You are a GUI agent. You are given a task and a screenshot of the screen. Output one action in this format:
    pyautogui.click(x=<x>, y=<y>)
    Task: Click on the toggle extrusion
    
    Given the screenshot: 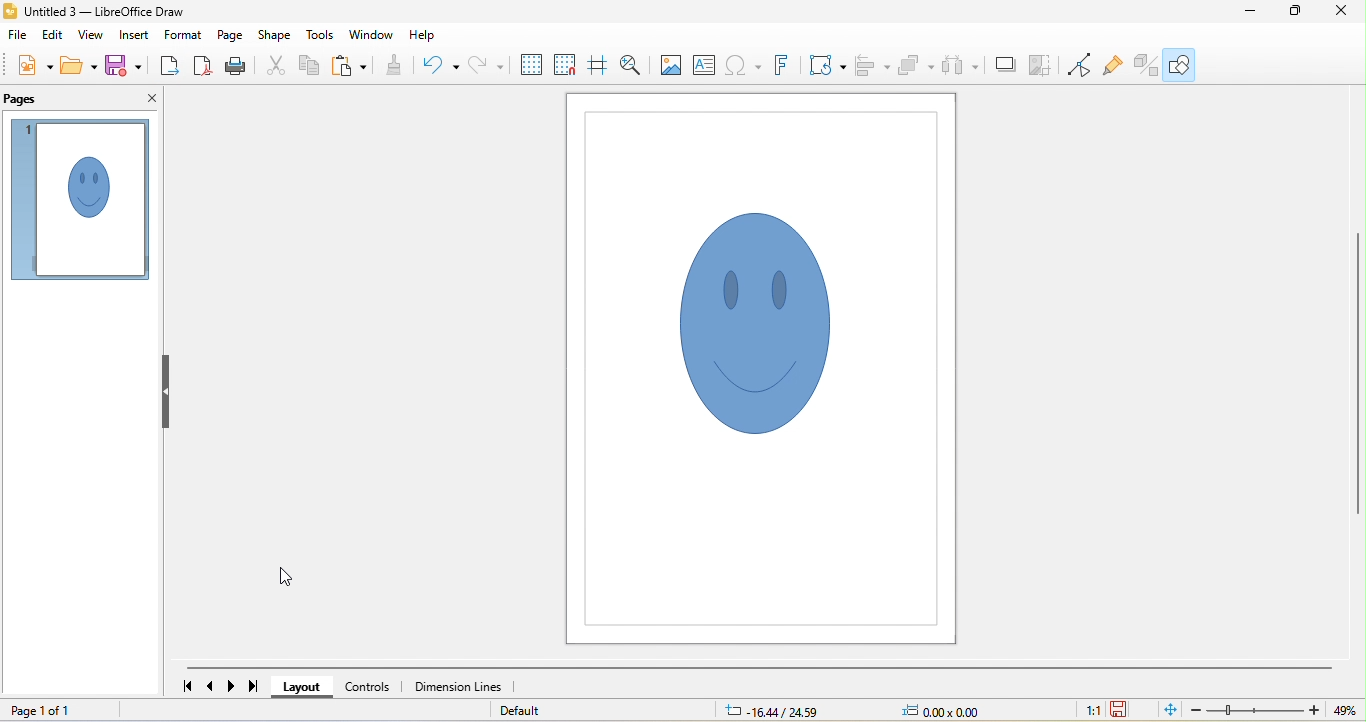 What is the action you would take?
    pyautogui.click(x=1144, y=67)
    